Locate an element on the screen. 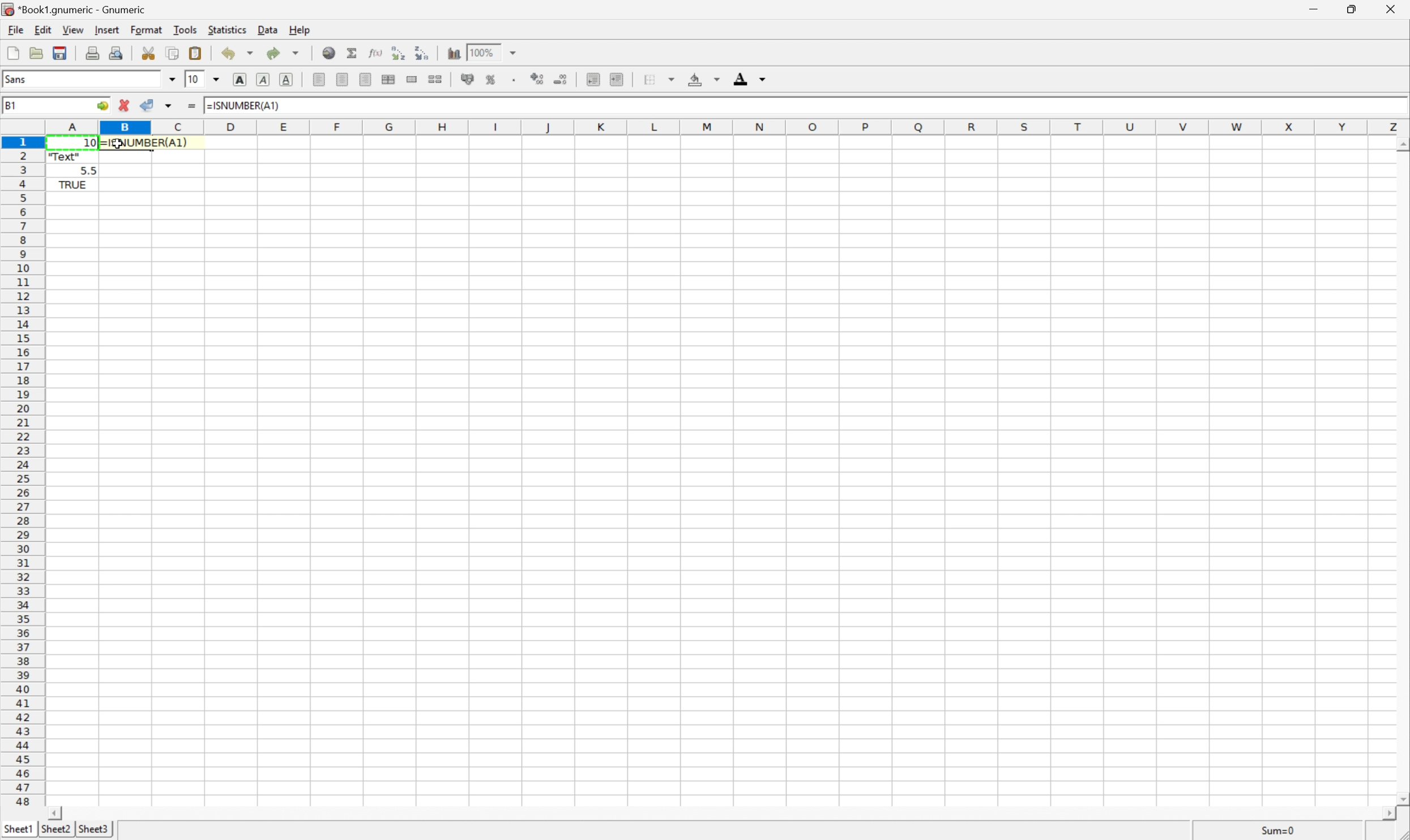 This screenshot has width=1410, height=840. Drop Down is located at coordinates (217, 79).